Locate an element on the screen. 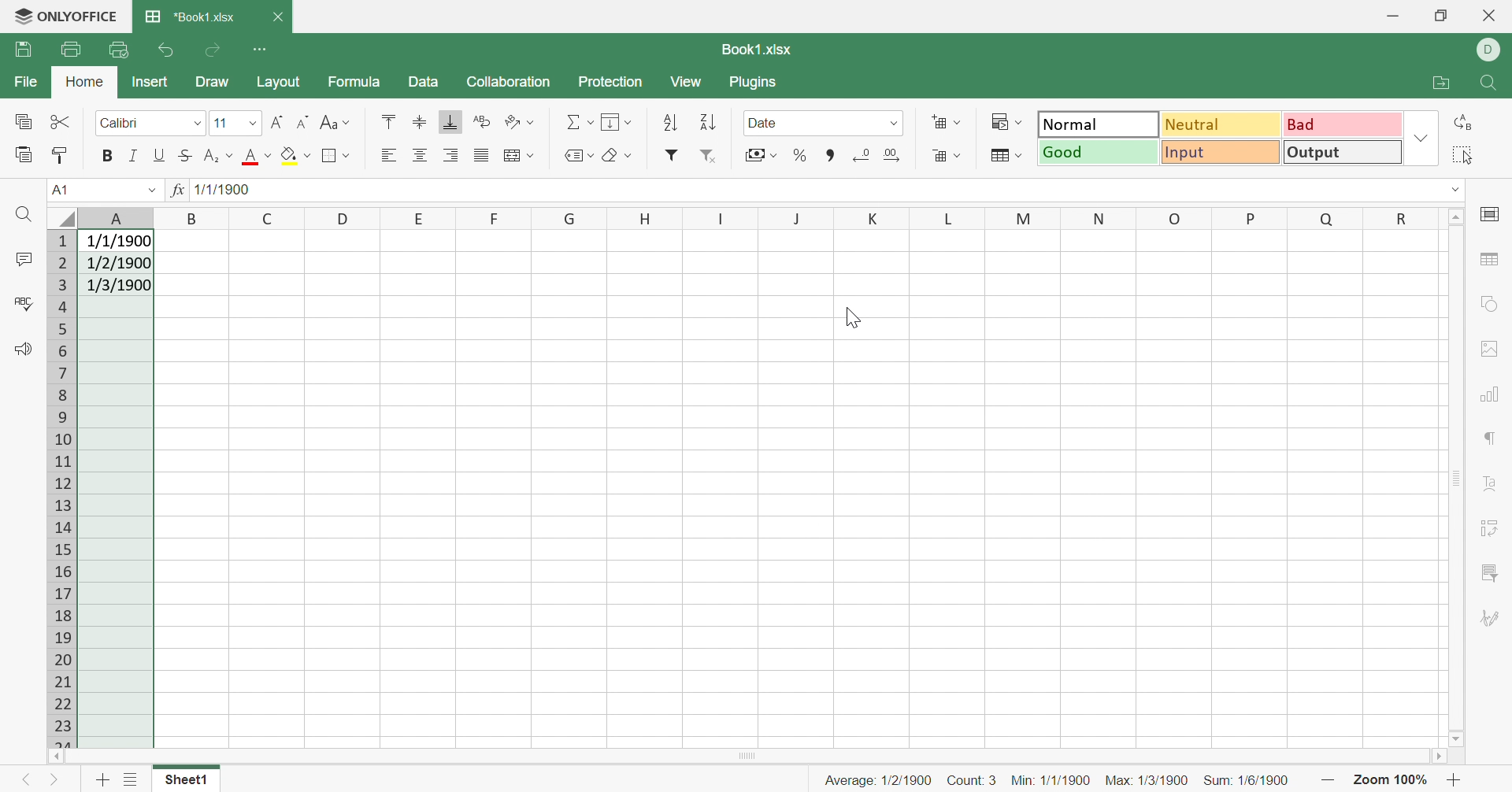  Font is located at coordinates (239, 122).